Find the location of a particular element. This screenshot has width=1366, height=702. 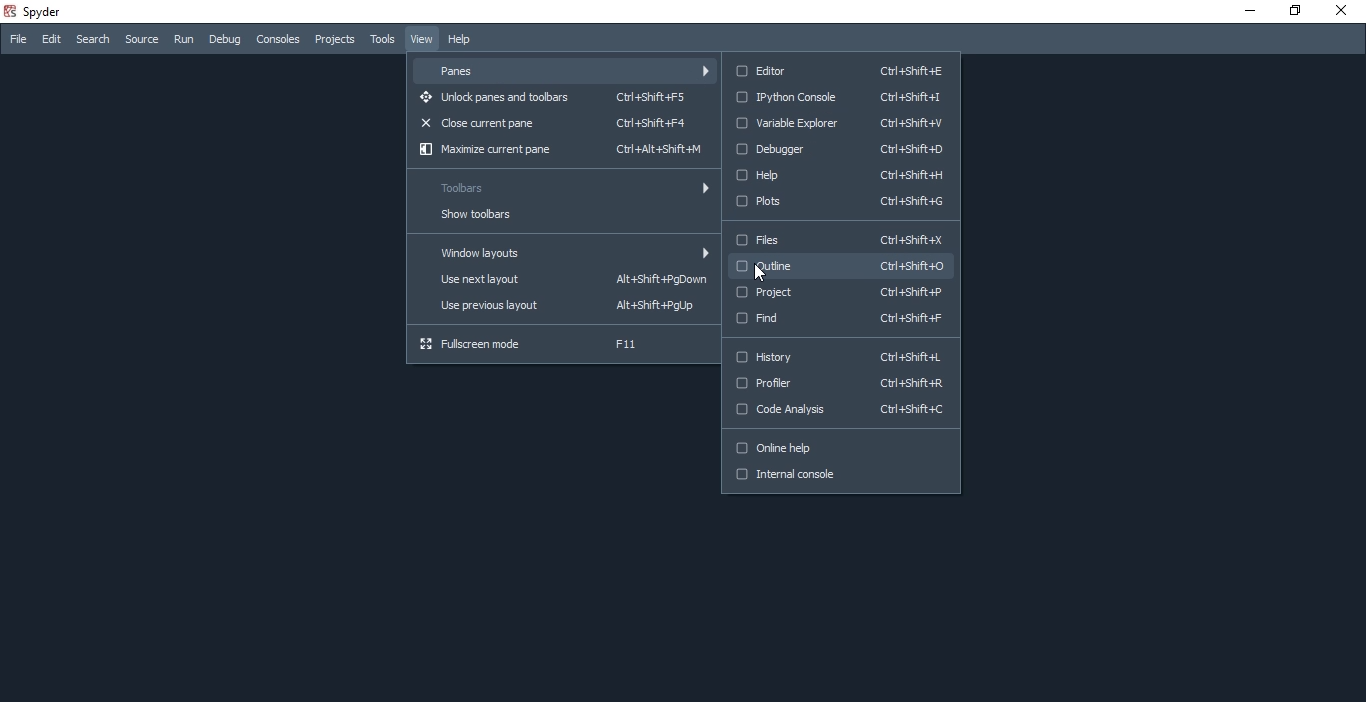

Debug is located at coordinates (224, 40).